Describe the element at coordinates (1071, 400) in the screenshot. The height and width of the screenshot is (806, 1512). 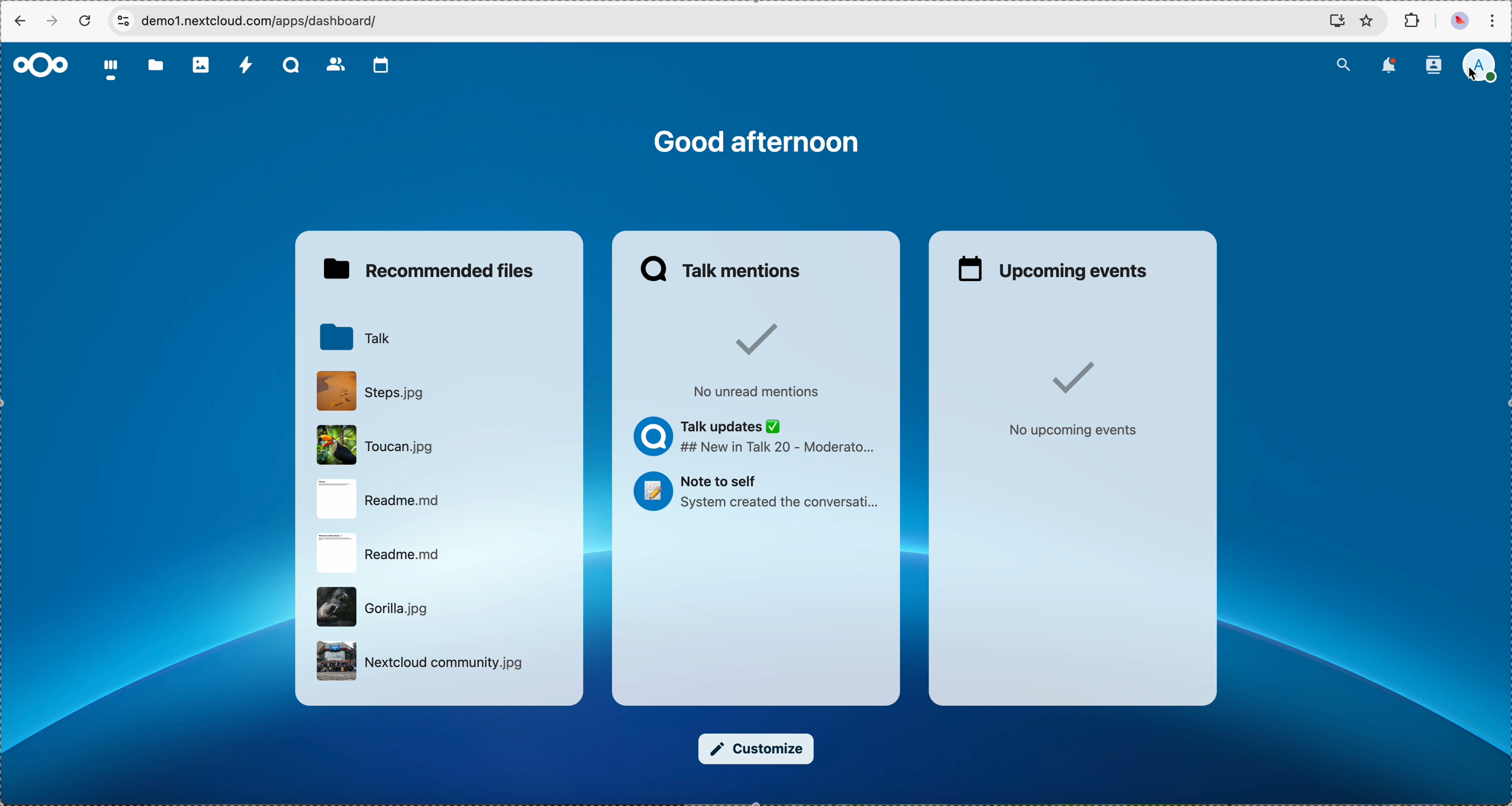
I see `no upcoming events` at that location.